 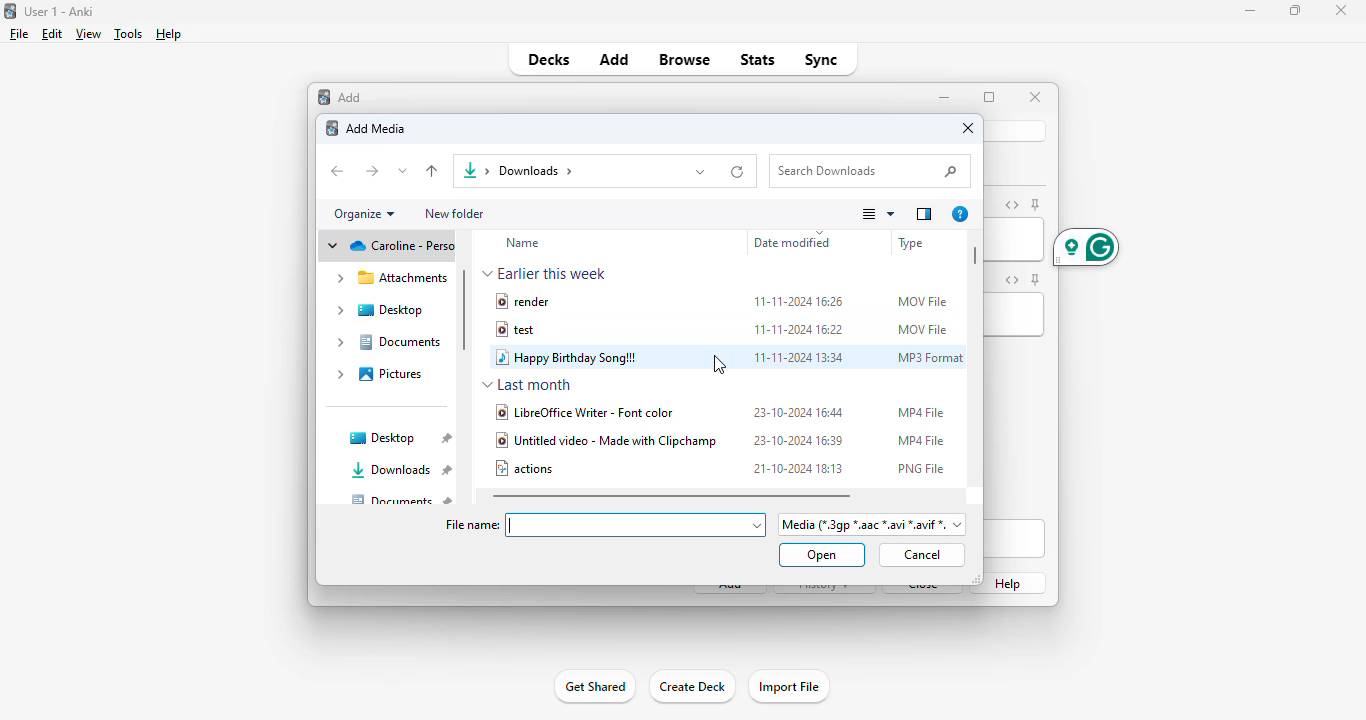 What do you see at coordinates (89, 34) in the screenshot?
I see `view` at bounding box center [89, 34].